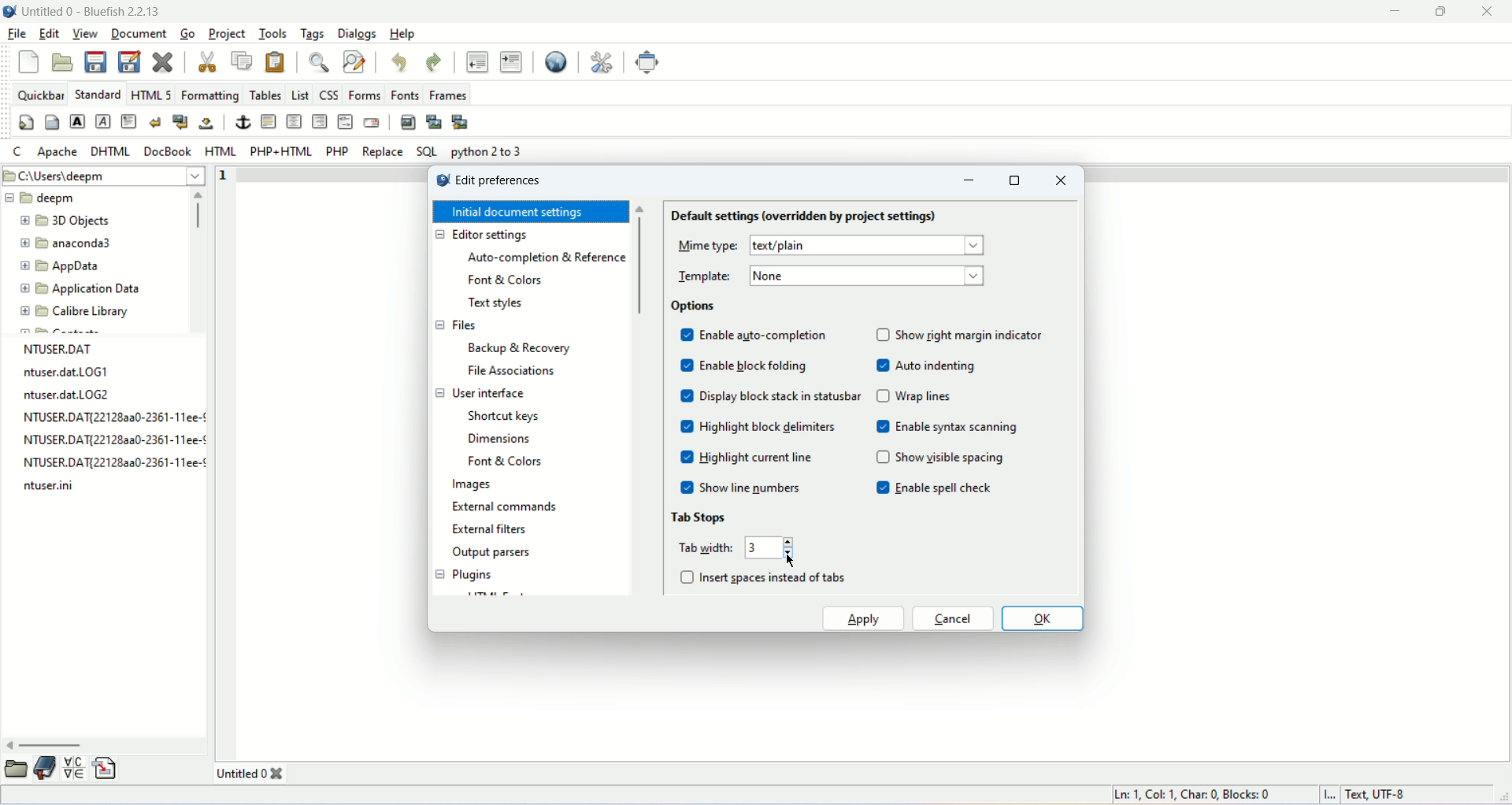  I want to click on redo, so click(432, 61).